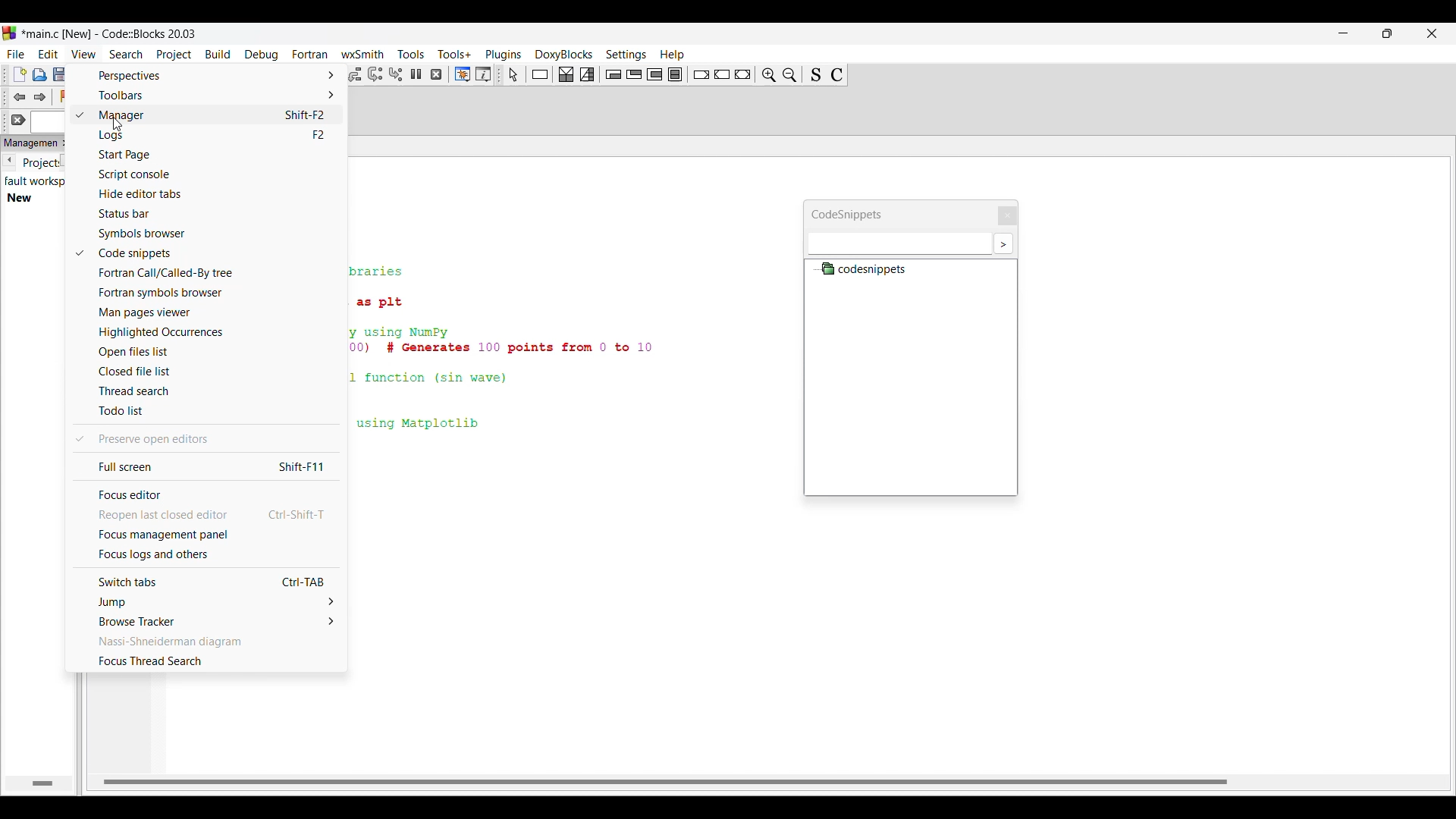  I want to click on Step into instruction, so click(395, 74).